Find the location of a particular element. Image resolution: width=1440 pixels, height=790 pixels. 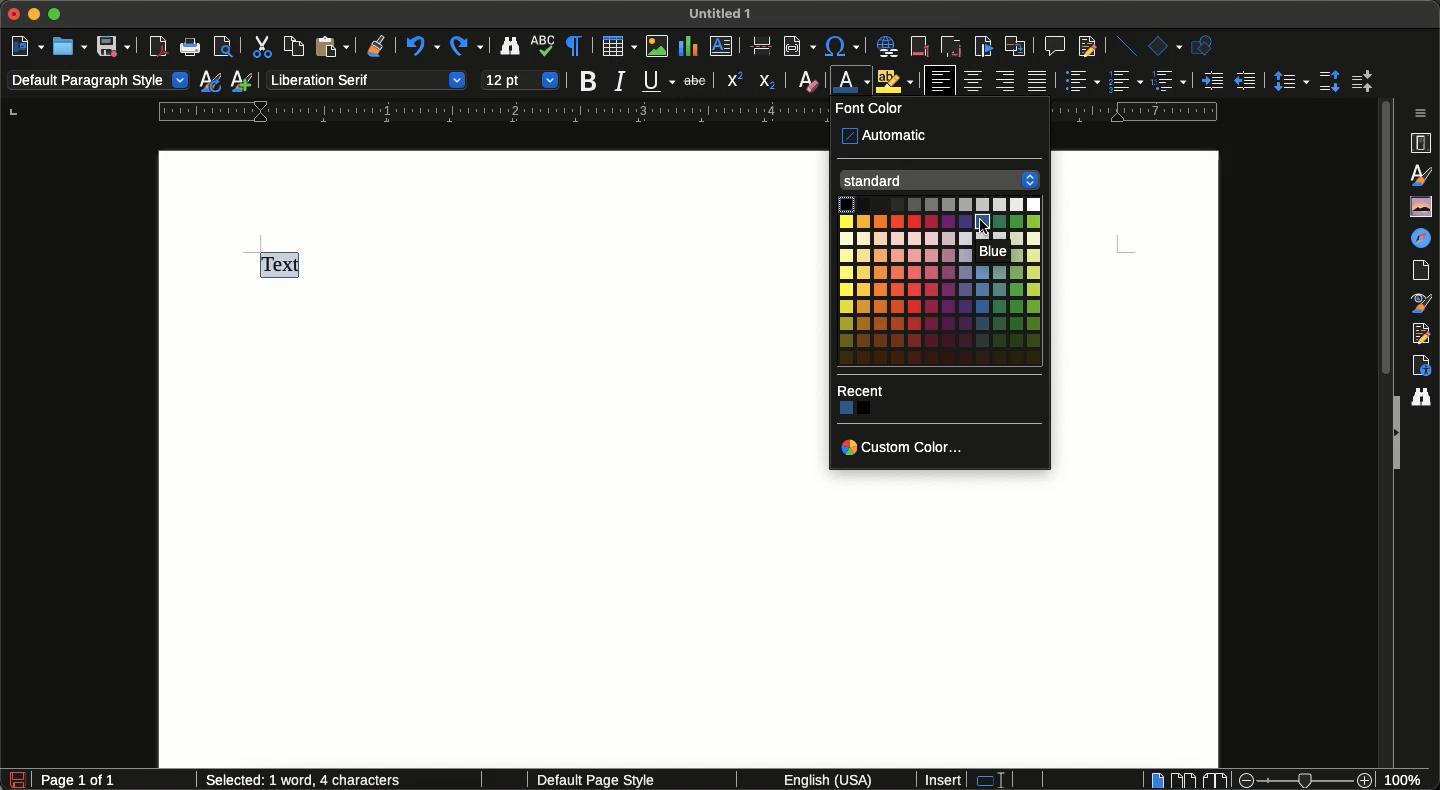

Increase paragraph spacing is located at coordinates (1329, 80).